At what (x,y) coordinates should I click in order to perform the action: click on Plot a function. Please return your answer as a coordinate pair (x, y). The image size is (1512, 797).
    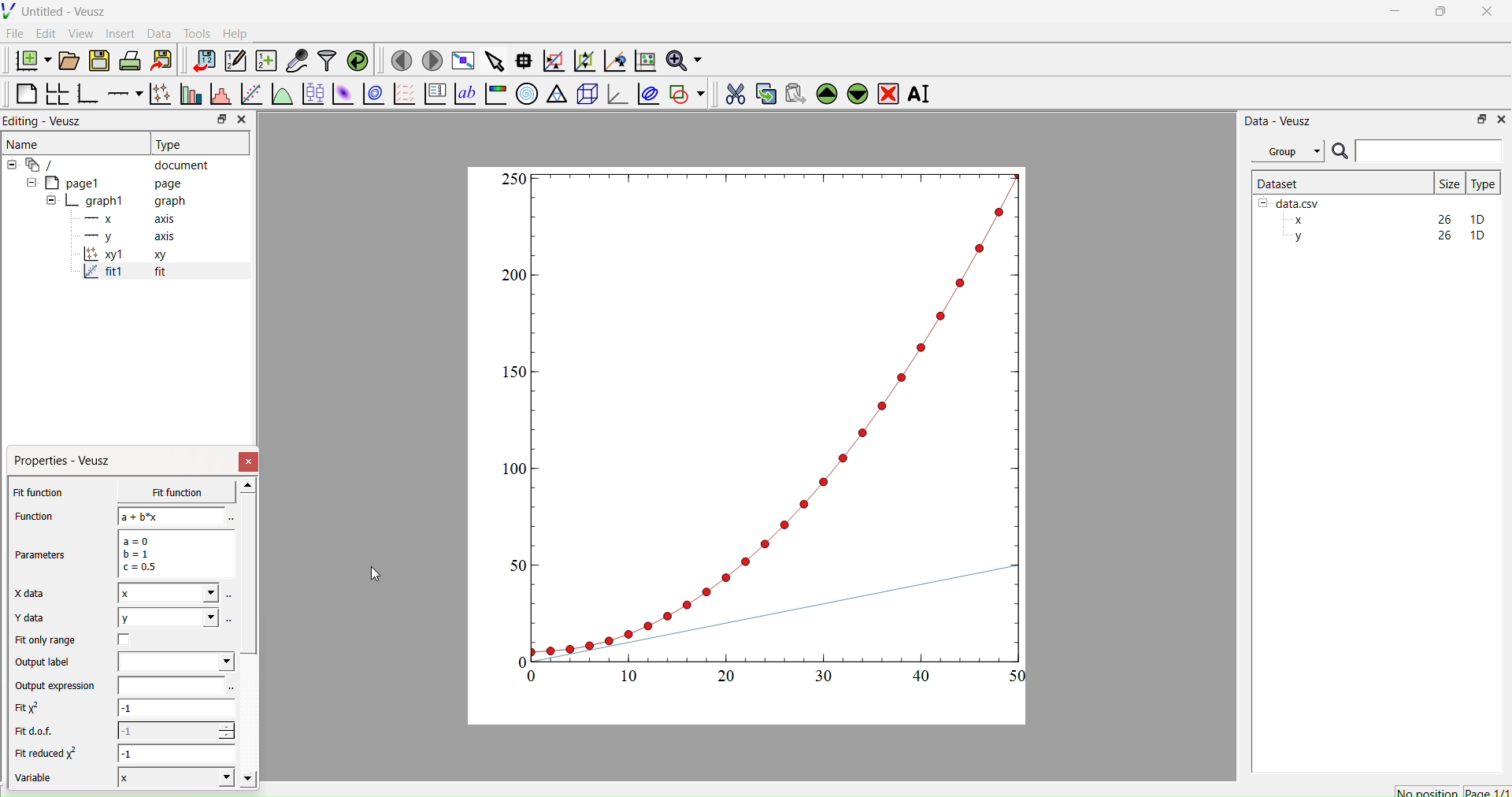
    Looking at the image, I should click on (281, 95).